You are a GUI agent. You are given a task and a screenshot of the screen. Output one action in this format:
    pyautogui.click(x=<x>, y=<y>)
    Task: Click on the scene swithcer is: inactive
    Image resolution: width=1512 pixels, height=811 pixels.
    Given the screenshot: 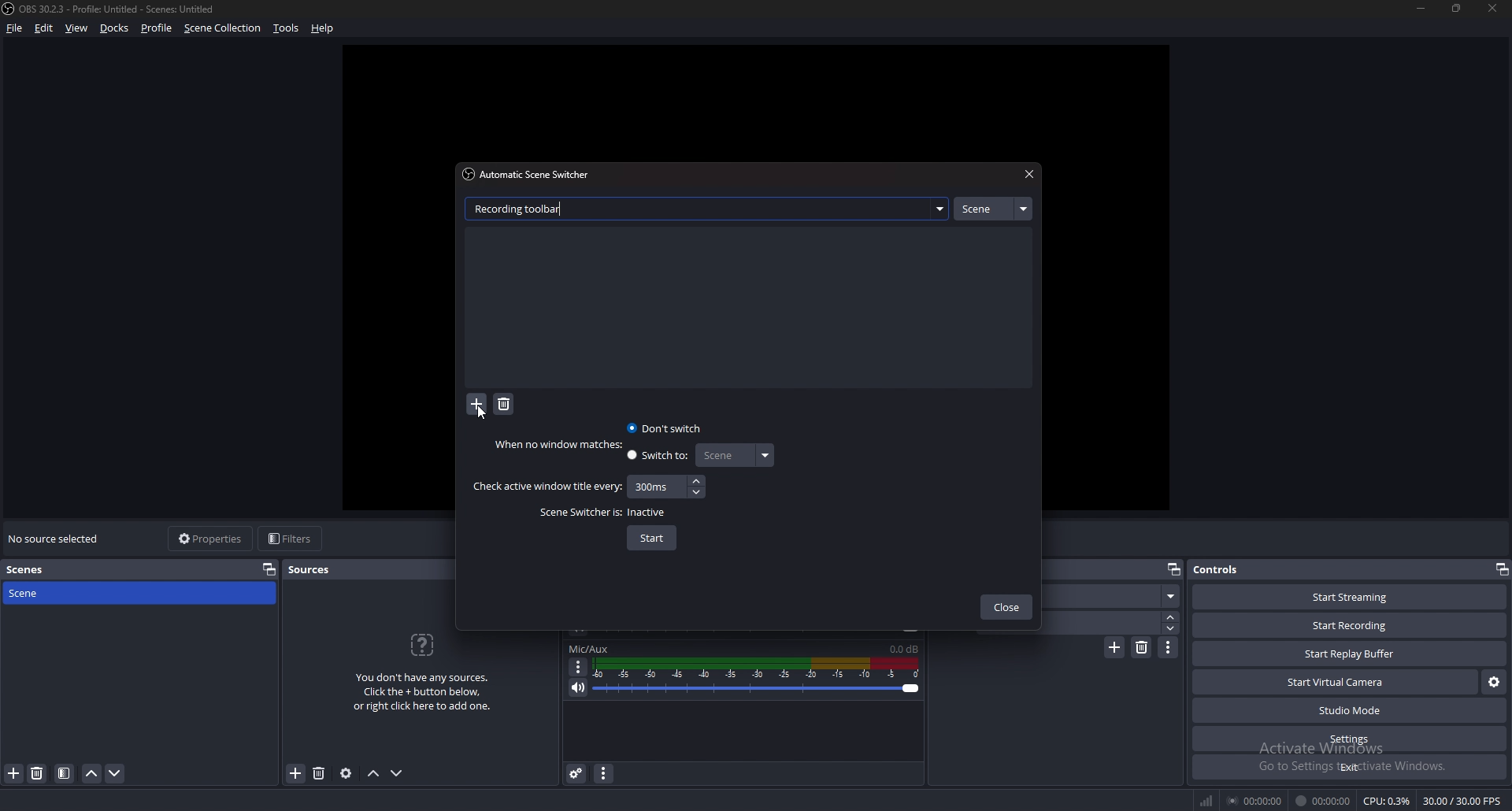 What is the action you would take?
    pyautogui.click(x=605, y=513)
    